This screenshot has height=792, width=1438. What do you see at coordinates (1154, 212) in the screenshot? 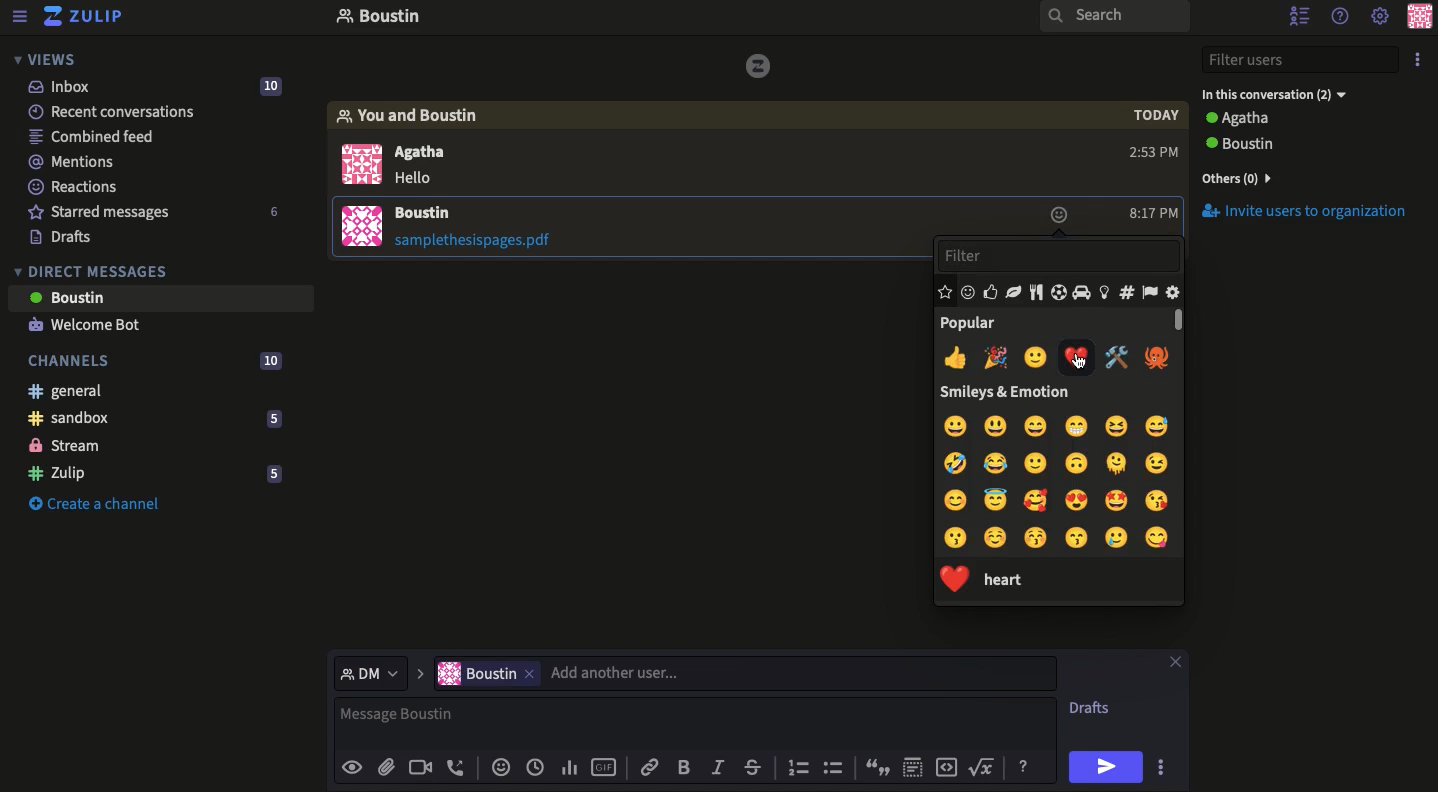
I see `Time` at bounding box center [1154, 212].